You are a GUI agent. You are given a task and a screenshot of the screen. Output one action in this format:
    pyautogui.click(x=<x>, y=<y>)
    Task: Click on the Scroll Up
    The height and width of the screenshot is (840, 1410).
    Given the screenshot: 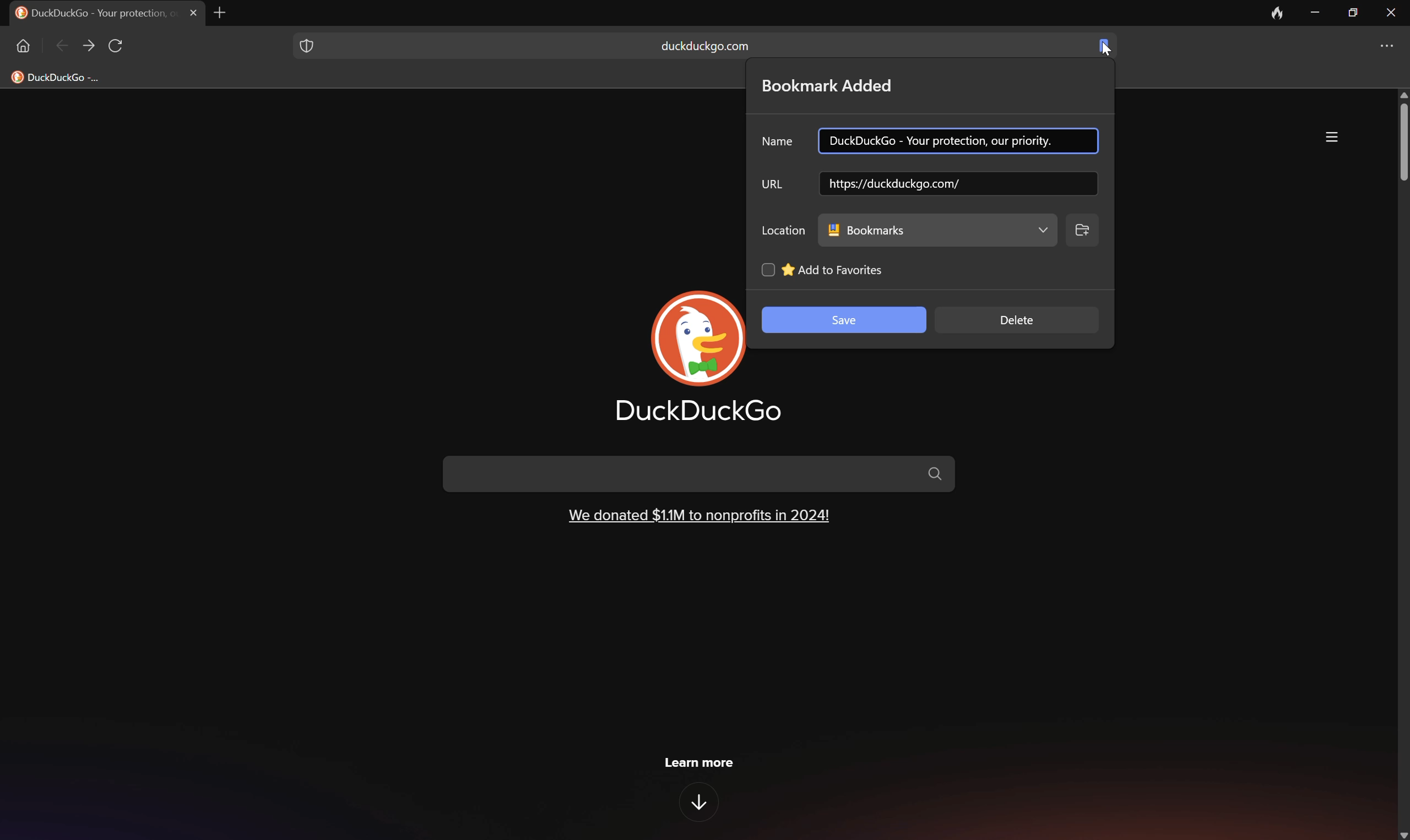 What is the action you would take?
    pyautogui.click(x=1401, y=93)
    